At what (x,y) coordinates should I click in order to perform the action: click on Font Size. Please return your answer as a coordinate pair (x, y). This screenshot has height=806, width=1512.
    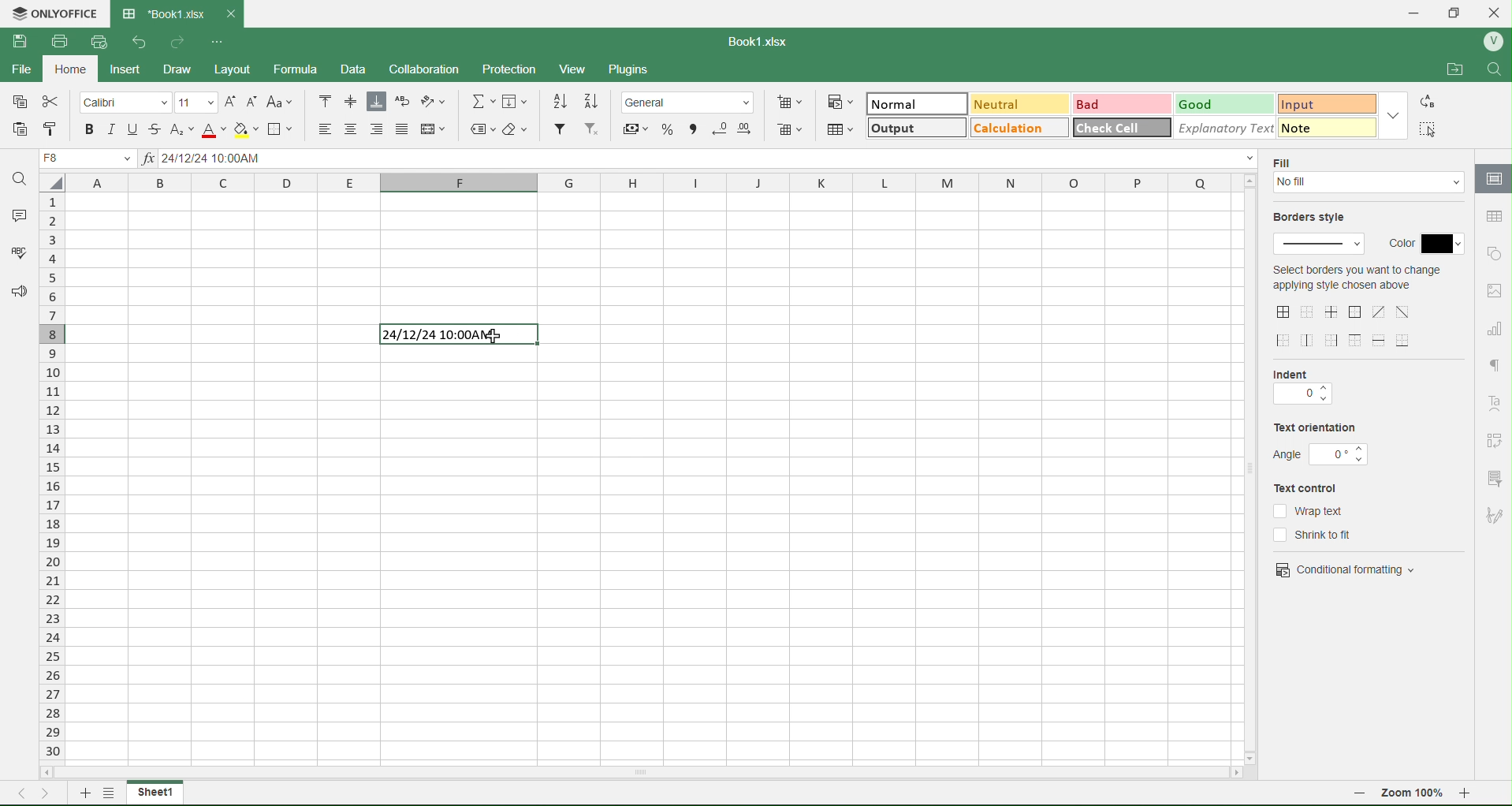
    Looking at the image, I should click on (196, 101).